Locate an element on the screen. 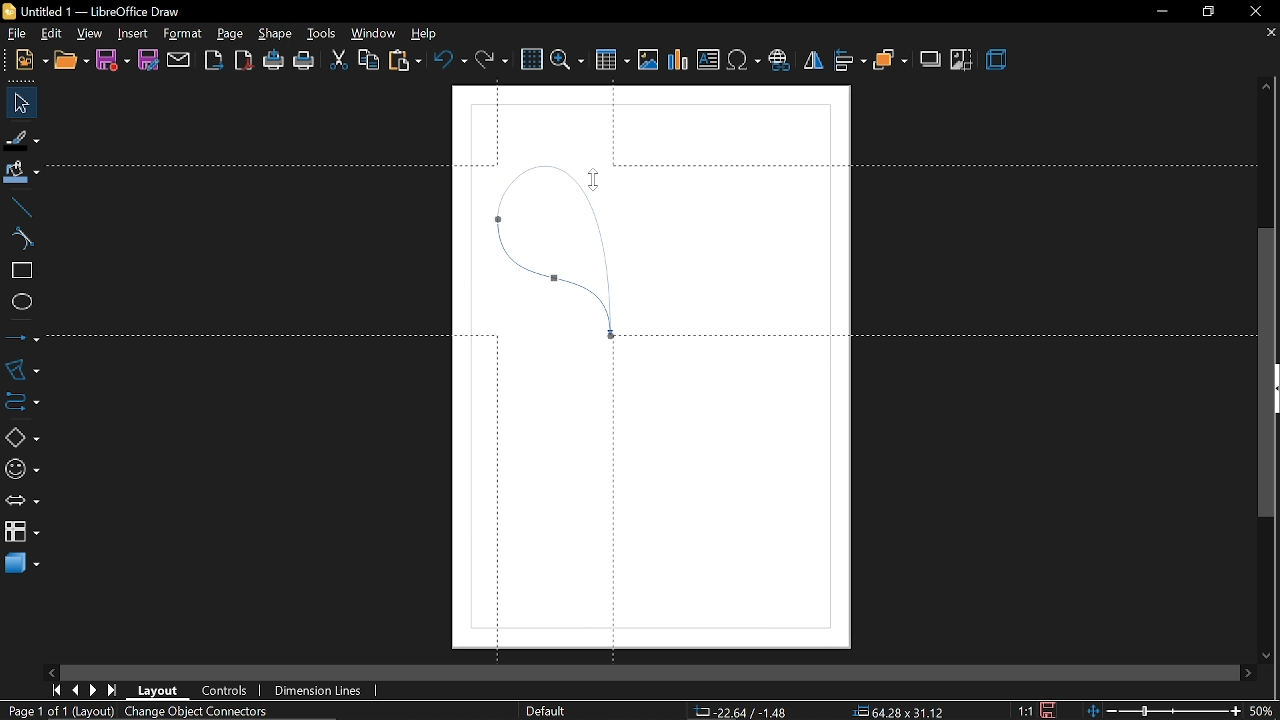  zoom change is located at coordinates (1166, 712).